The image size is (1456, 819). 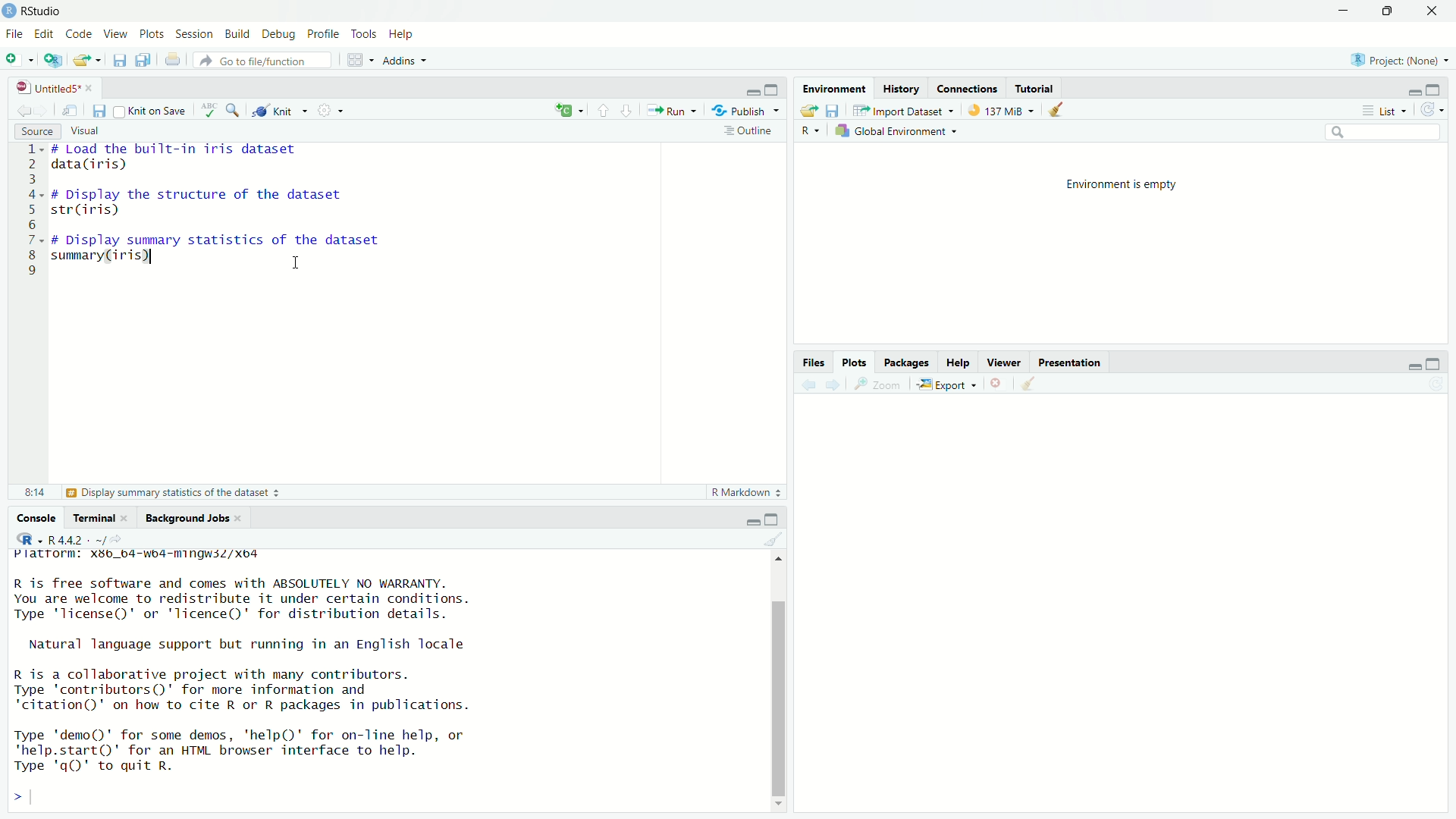 What do you see at coordinates (1432, 10) in the screenshot?
I see `Close` at bounding box center [1432, 10].